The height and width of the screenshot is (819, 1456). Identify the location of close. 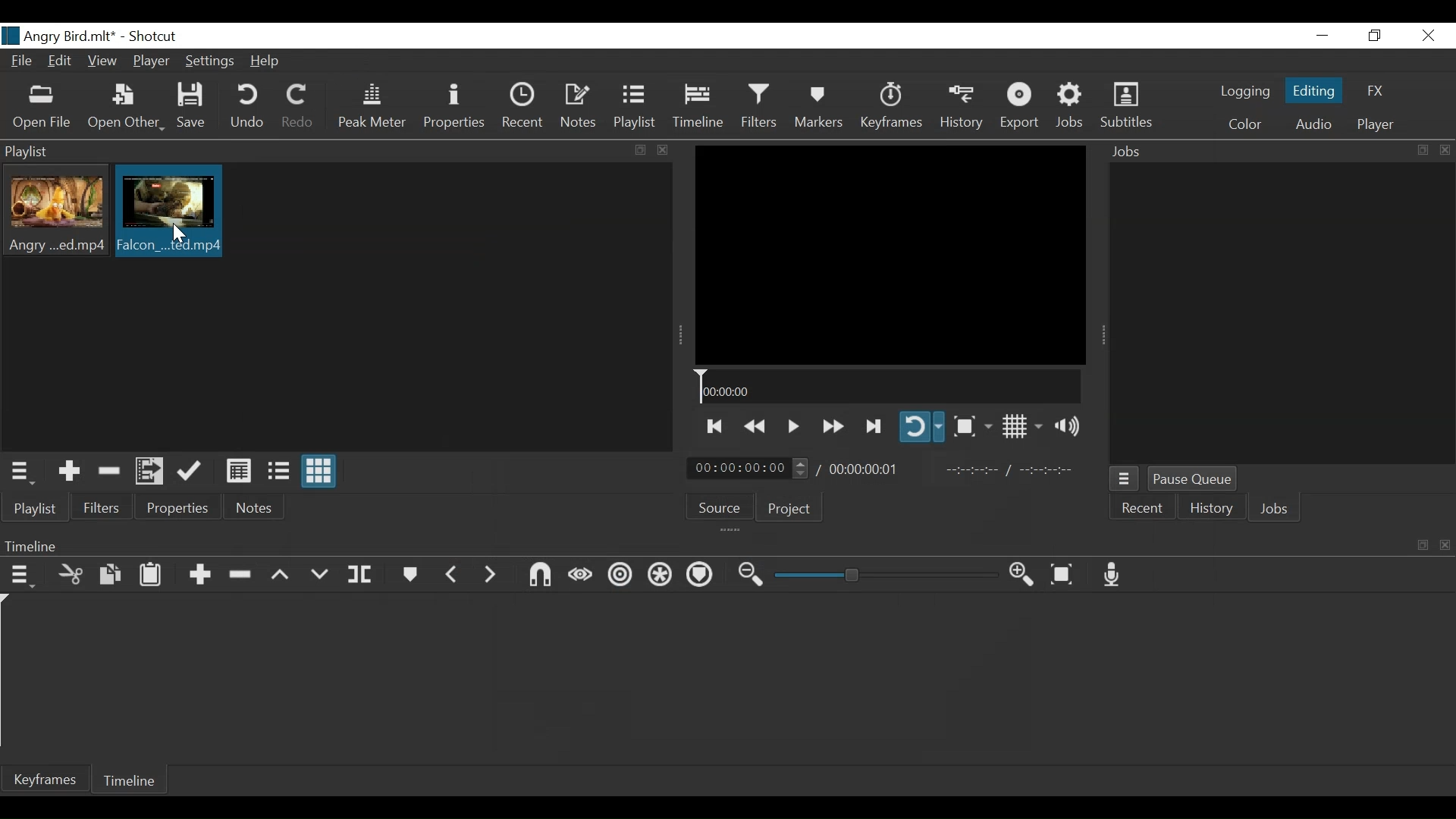
(1442, 544).